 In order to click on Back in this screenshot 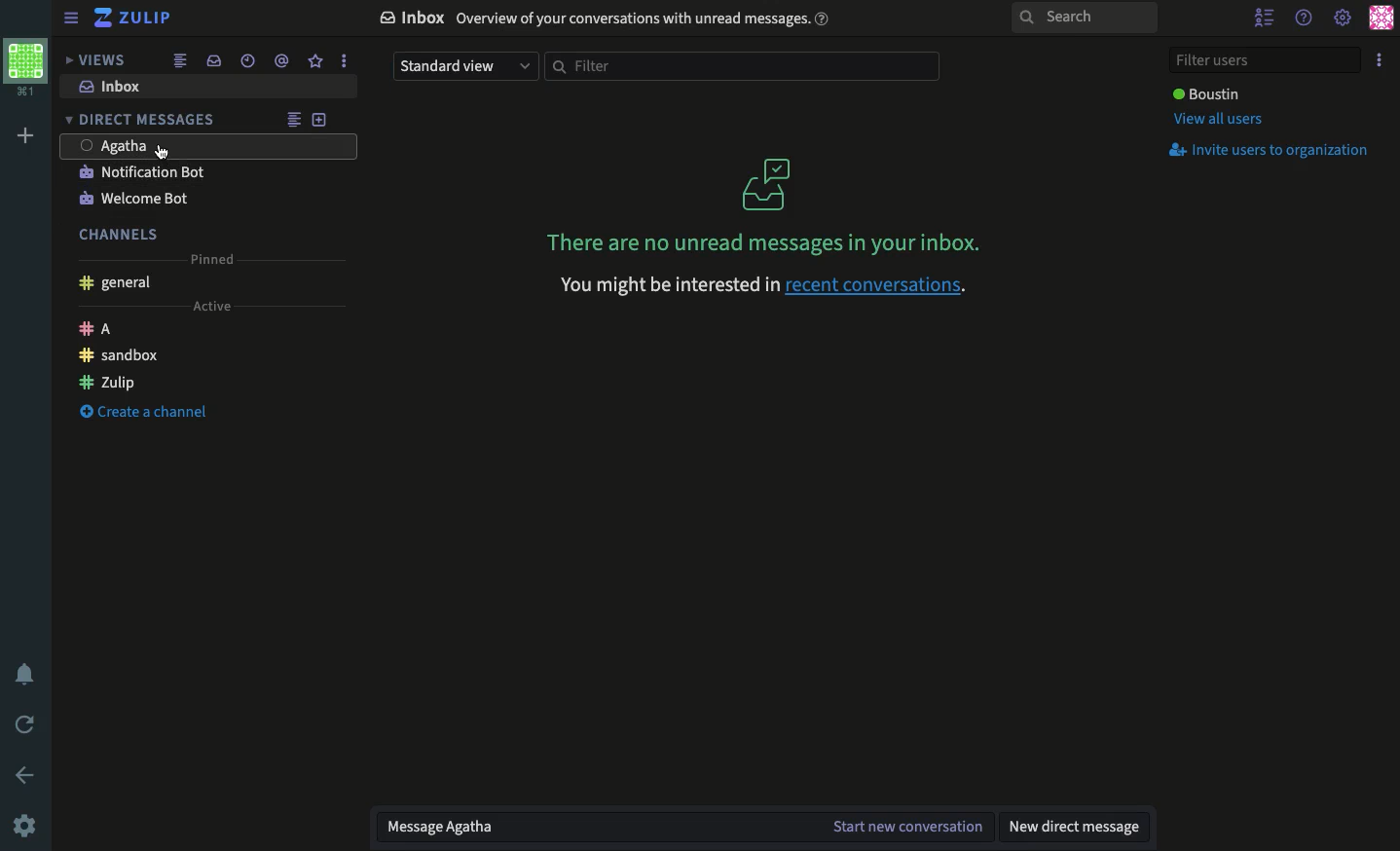, I will do `click(21, 774)`.